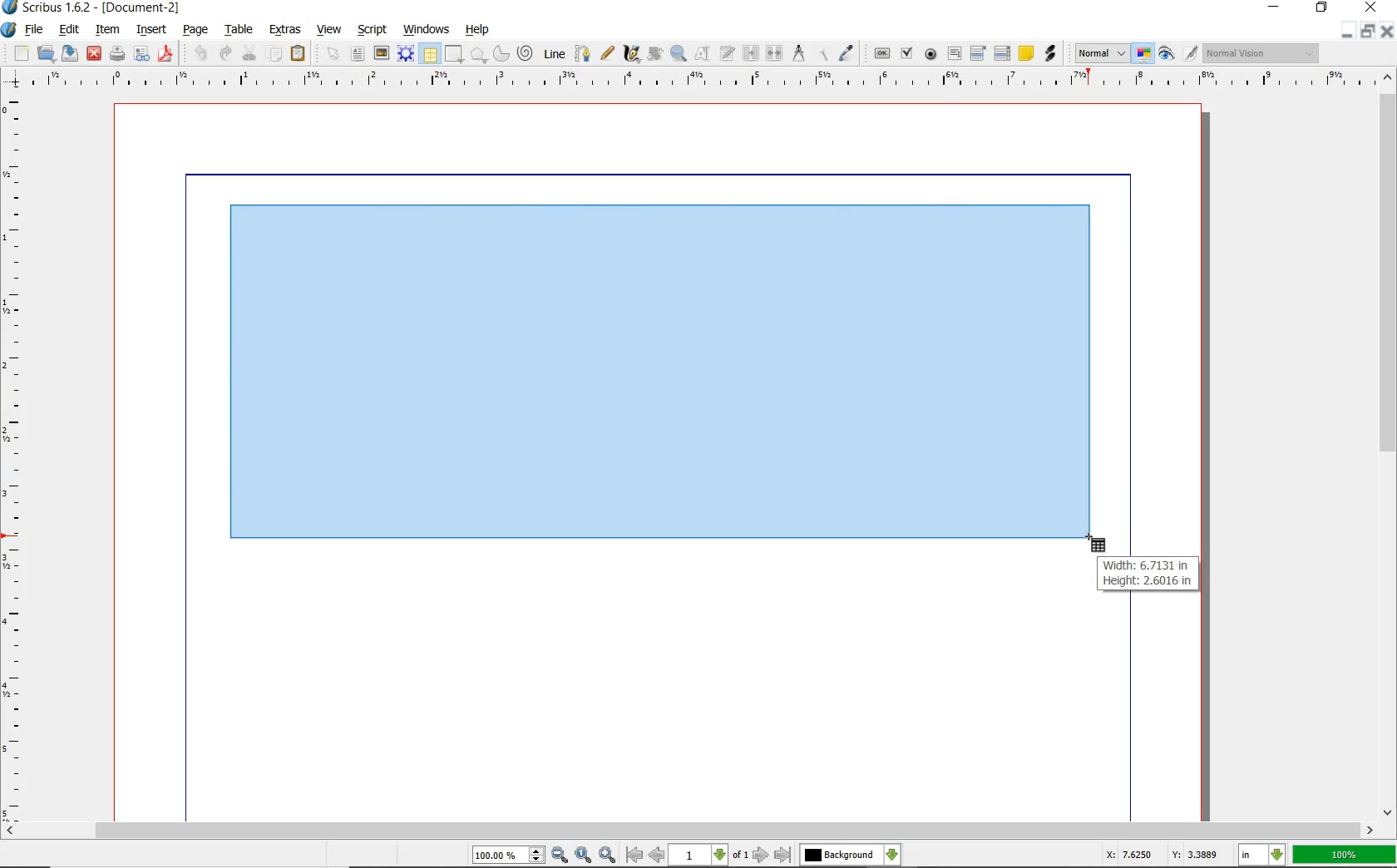  What do you see at coordinates (223, 52) in the screenshot?
I see `redo` at bounding box center [223, 52].